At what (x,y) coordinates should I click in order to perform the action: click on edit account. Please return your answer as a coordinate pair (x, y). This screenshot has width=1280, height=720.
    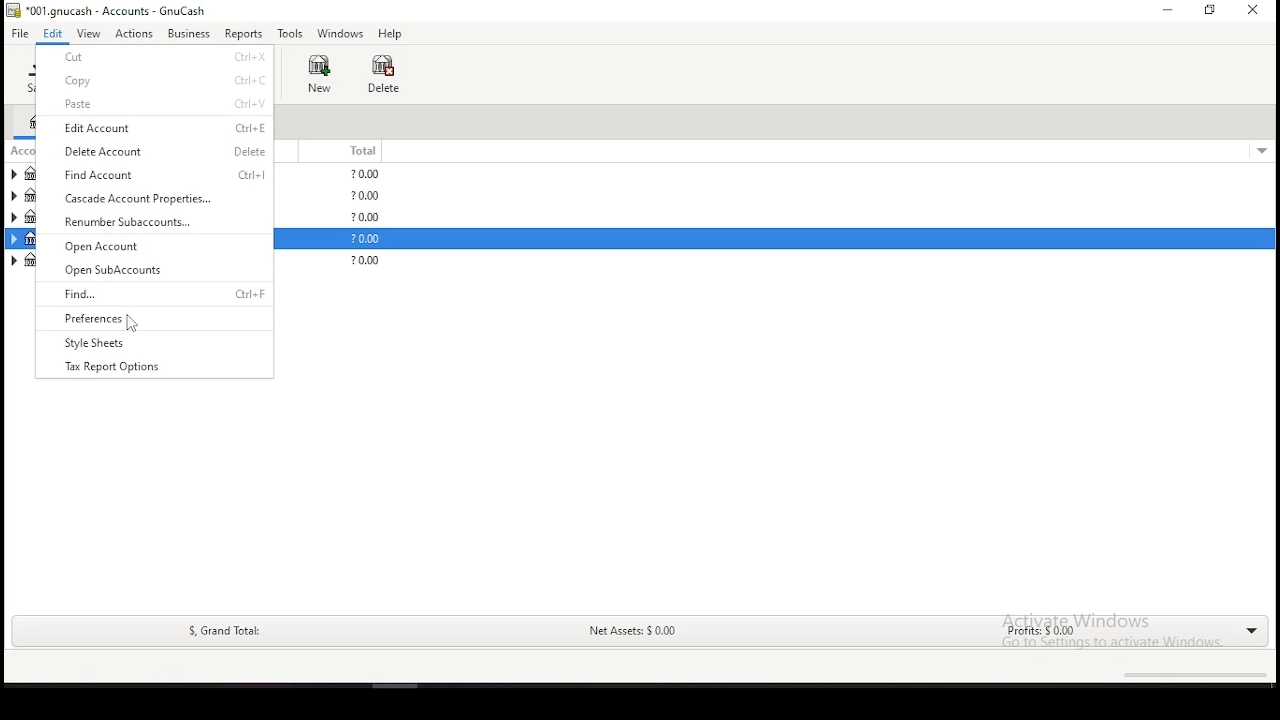
    Looking at the image, I should click on (163, 129).